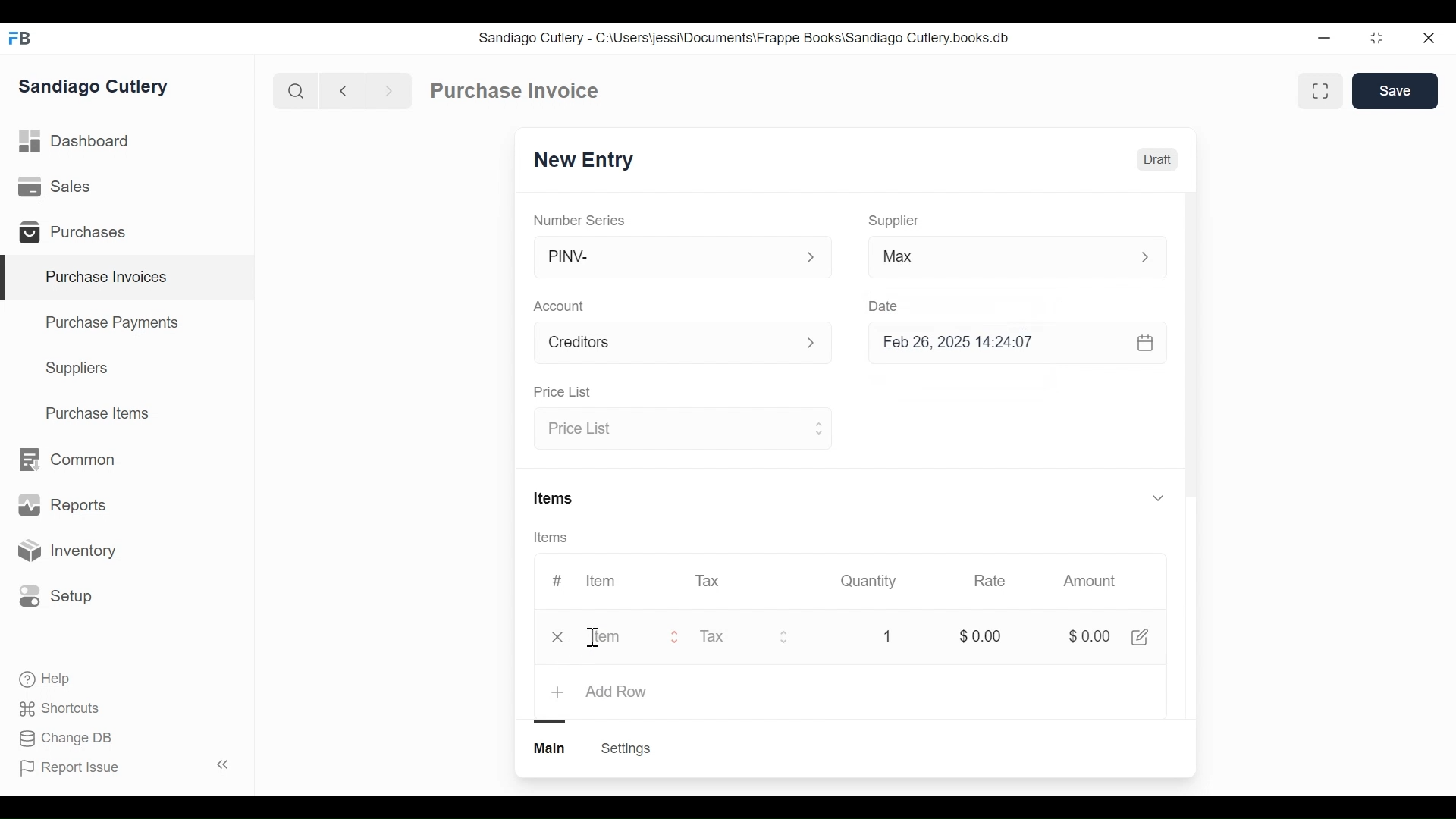 The height and width of the screenshot is (819, 1456). What do you see at coordinates (1397, 91) in the screenshot?
I see `Save` at bounding box center [1397, 91].